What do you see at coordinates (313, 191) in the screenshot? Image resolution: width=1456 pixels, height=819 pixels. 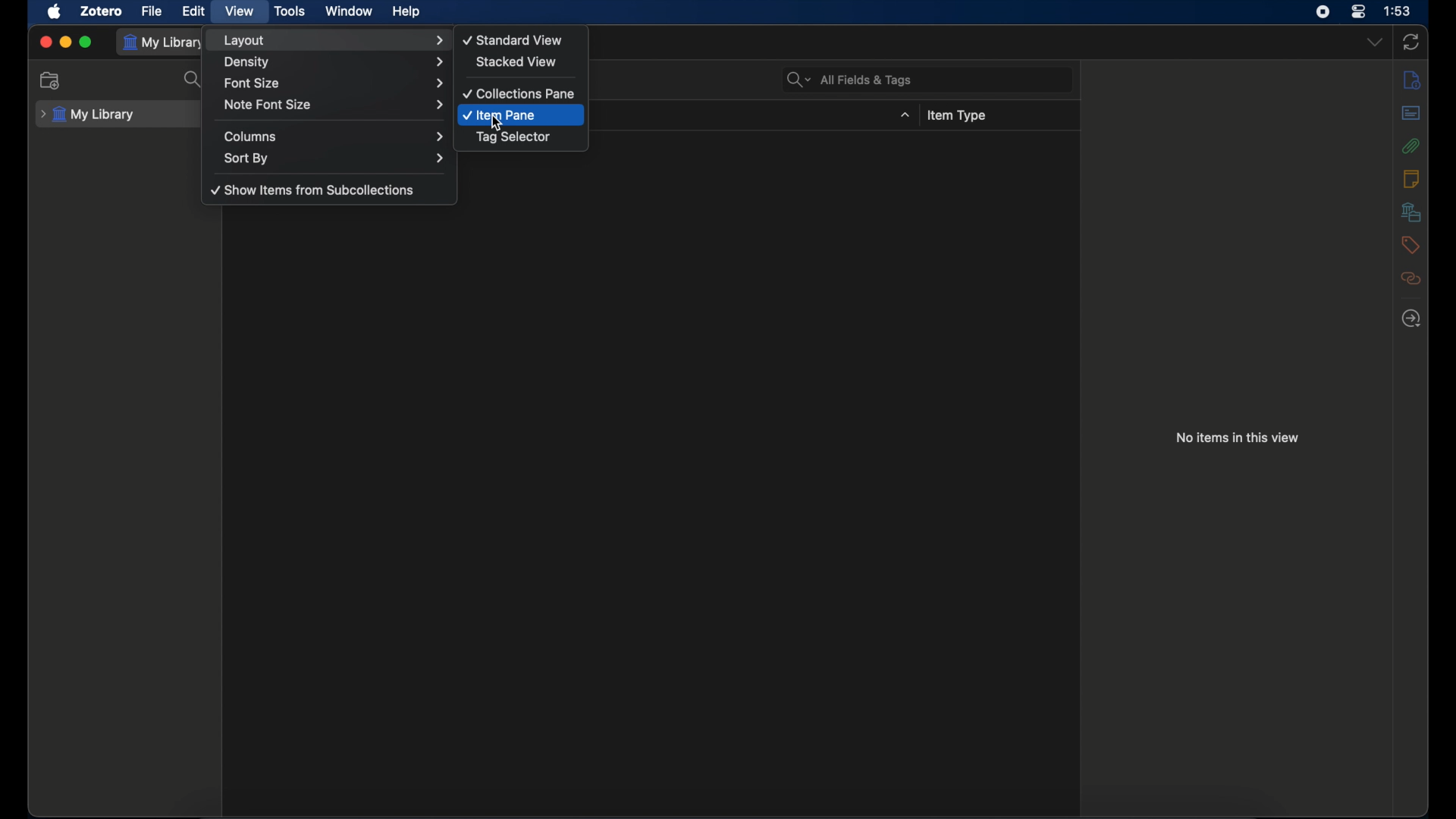 I see `show items from sub collections` at bounding box center [313, 191].